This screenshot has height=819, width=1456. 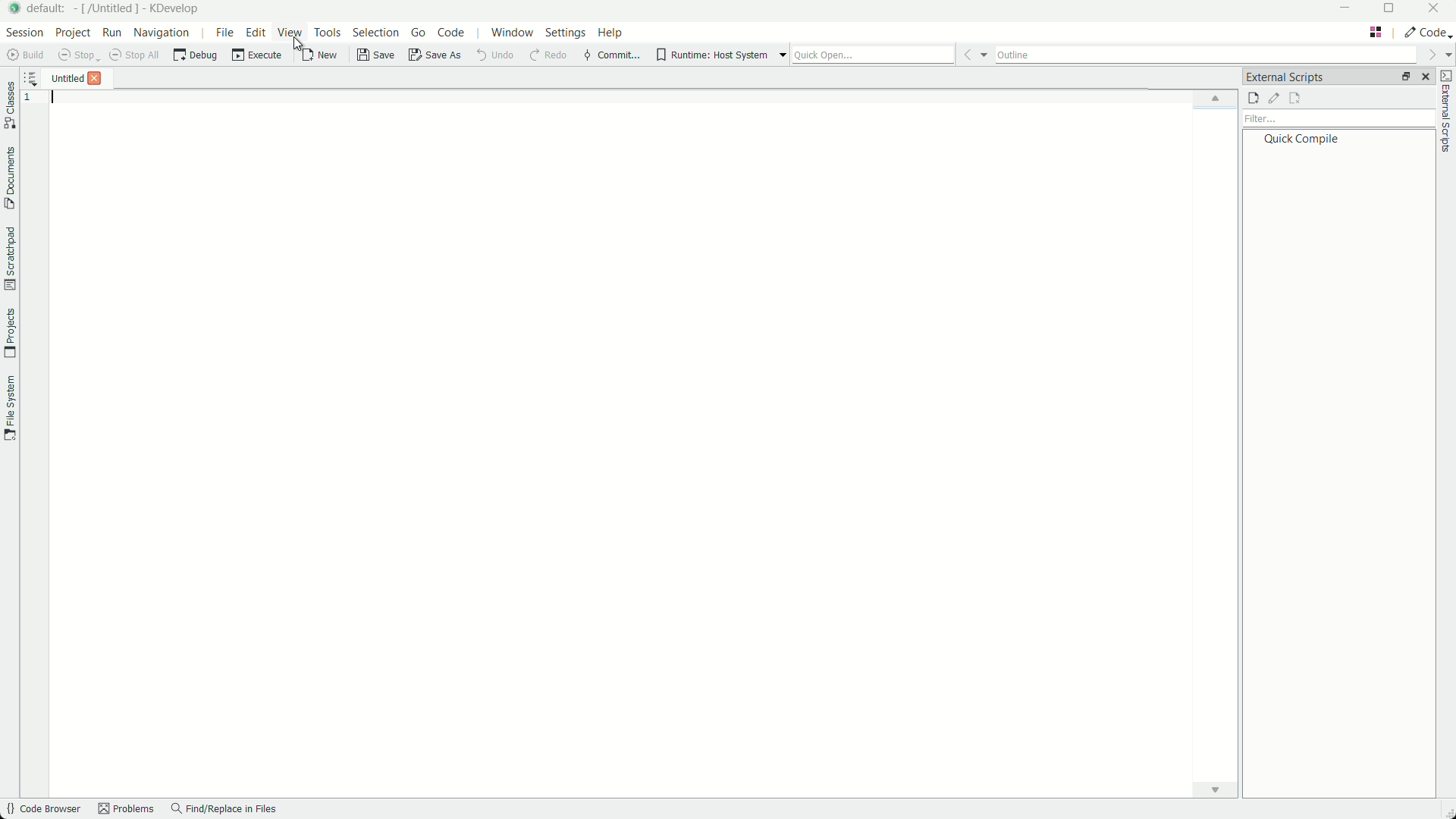 I want to click on file, so click(x=224, y=34).